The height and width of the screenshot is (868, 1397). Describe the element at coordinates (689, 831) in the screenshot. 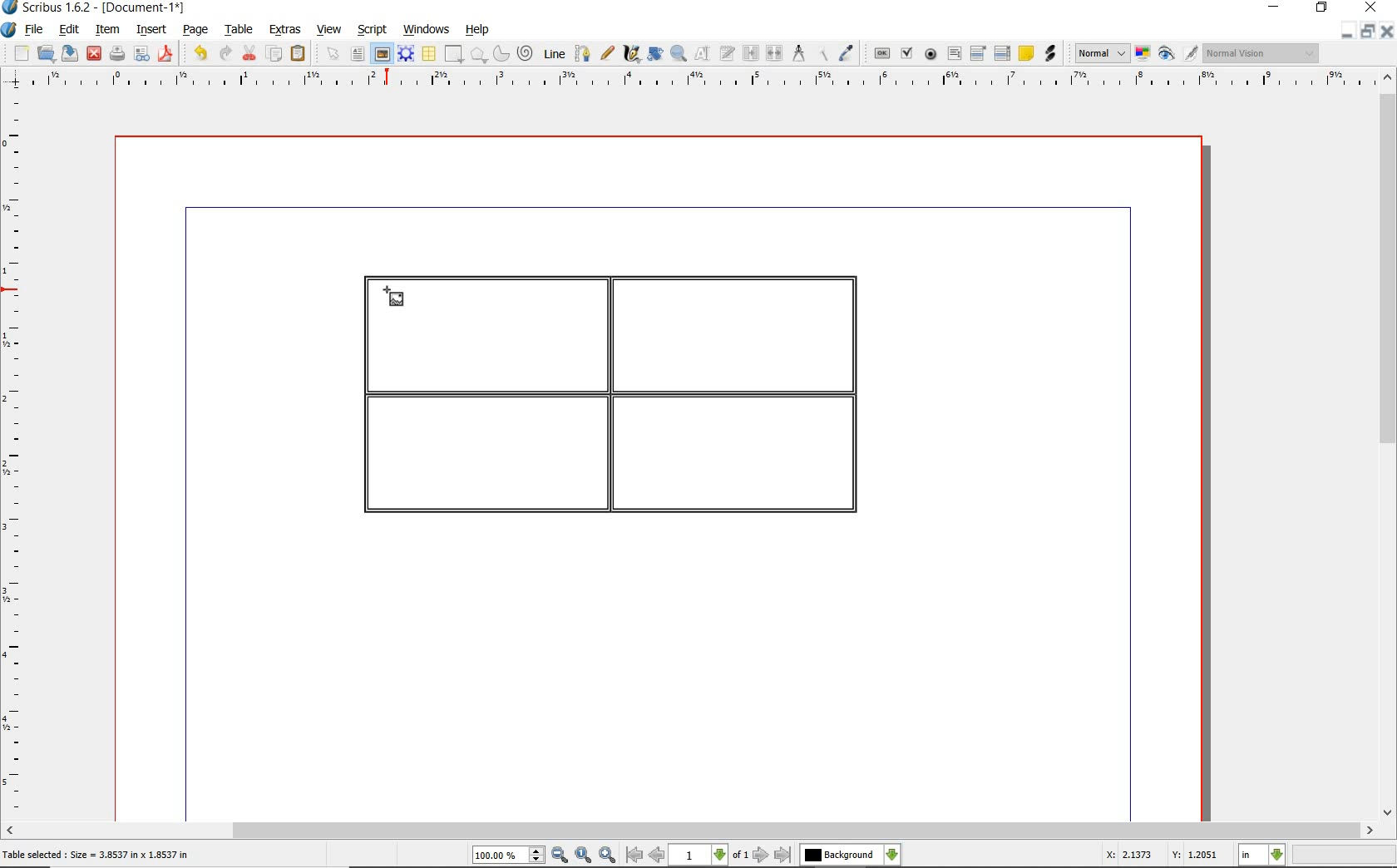

I see `scrollbar` at that location.